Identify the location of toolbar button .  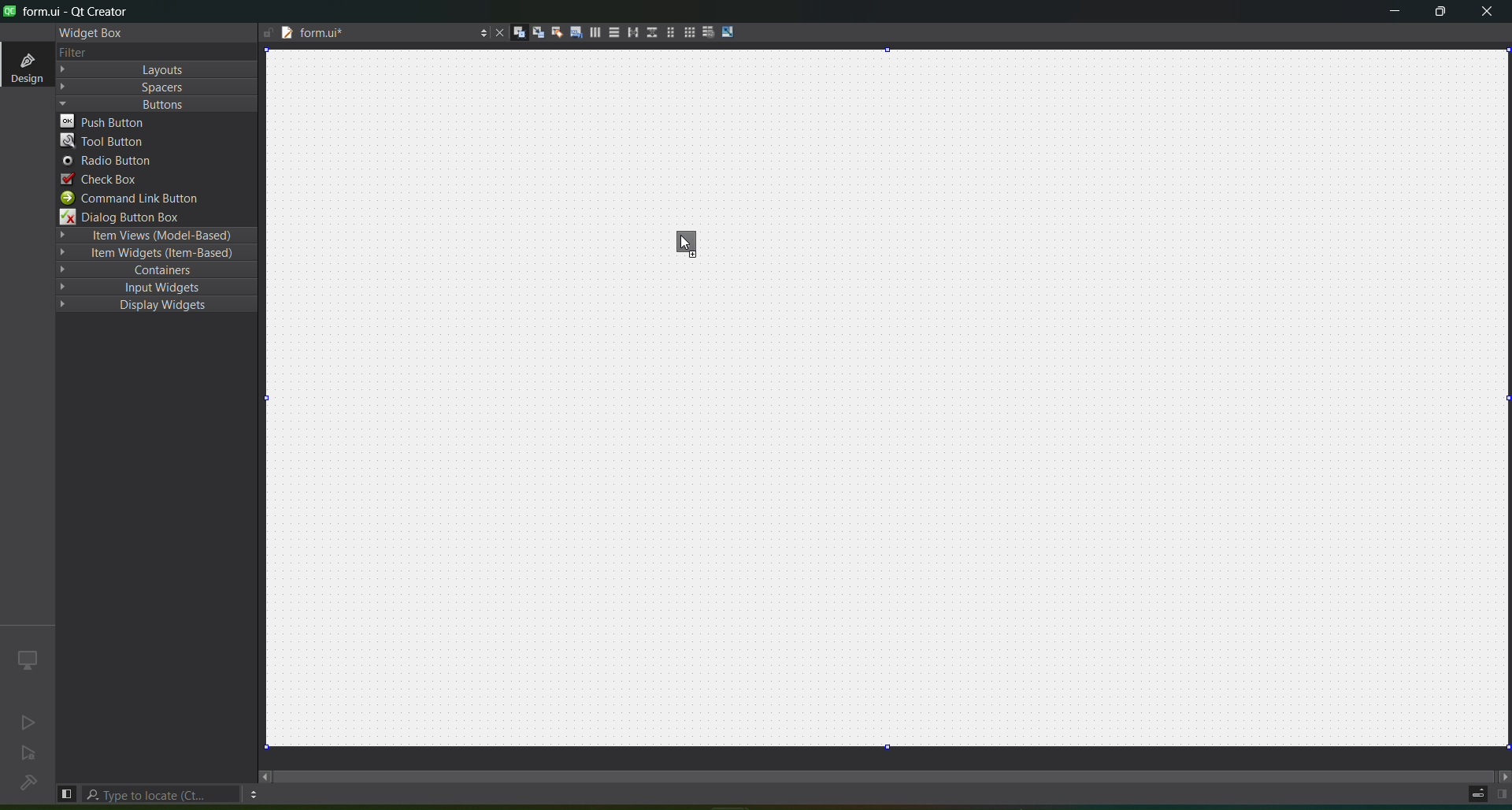
(690, 246).